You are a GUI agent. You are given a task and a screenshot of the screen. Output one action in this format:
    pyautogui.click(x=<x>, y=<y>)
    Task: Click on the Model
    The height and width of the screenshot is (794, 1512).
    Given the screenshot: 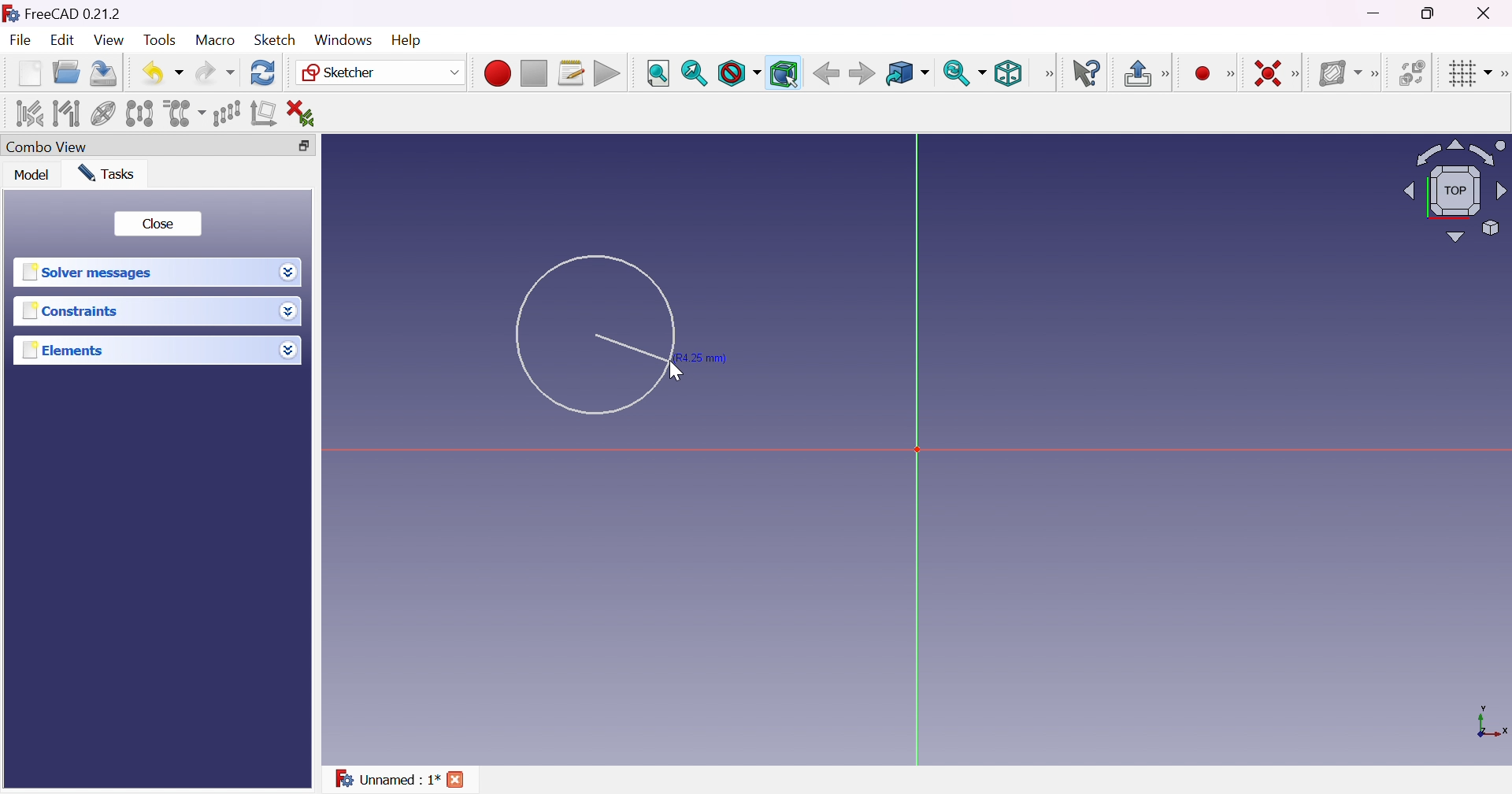 What is the action you would take?
    pyautogui.click(x=33, y=176)
    